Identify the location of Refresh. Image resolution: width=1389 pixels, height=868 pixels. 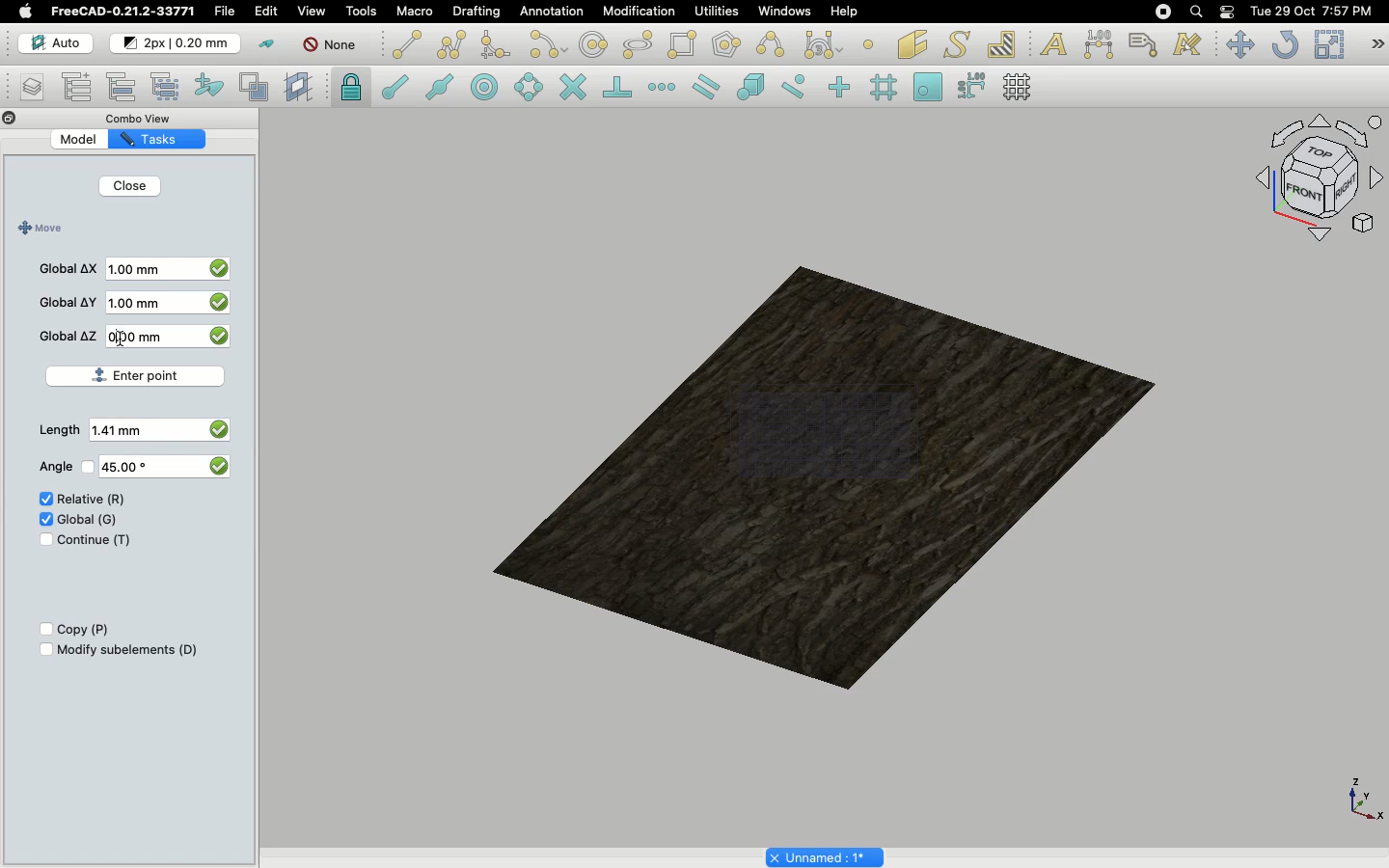
(1285, 46).